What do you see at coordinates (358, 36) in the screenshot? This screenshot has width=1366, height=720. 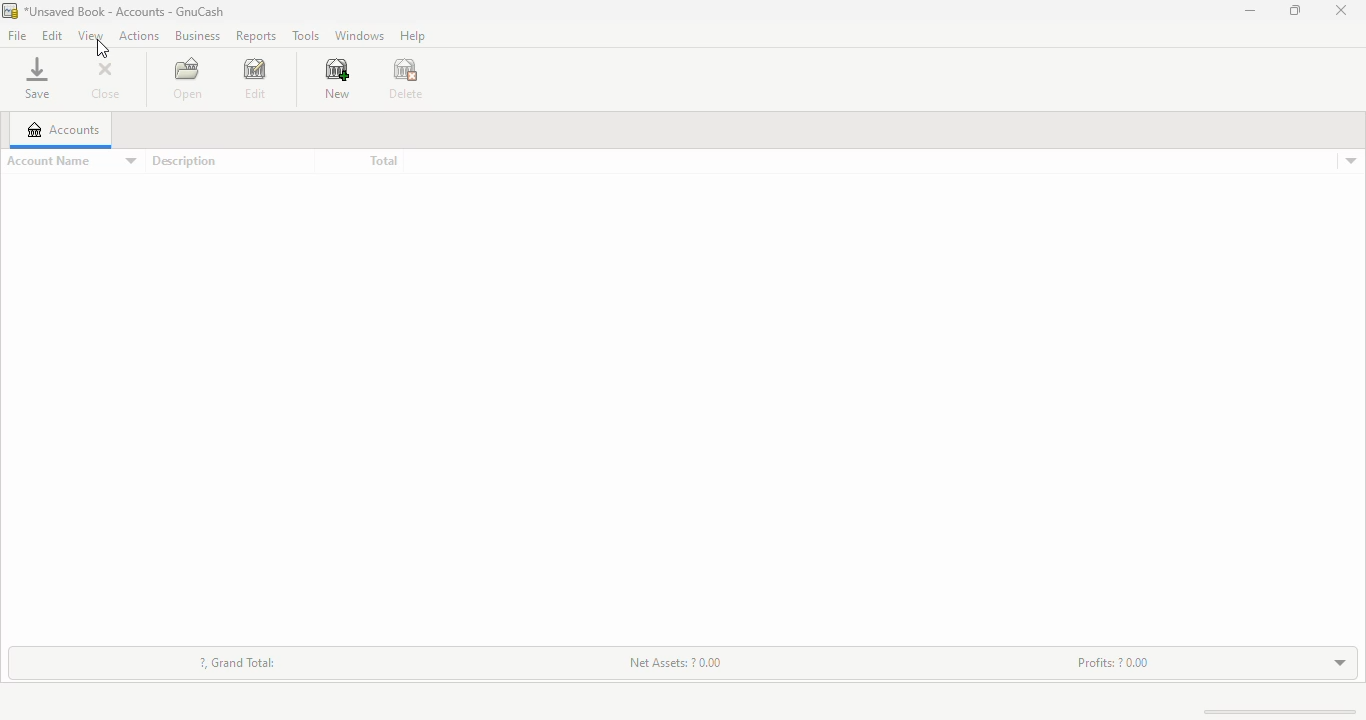 I see `windows` at bounding box center [358, 36].